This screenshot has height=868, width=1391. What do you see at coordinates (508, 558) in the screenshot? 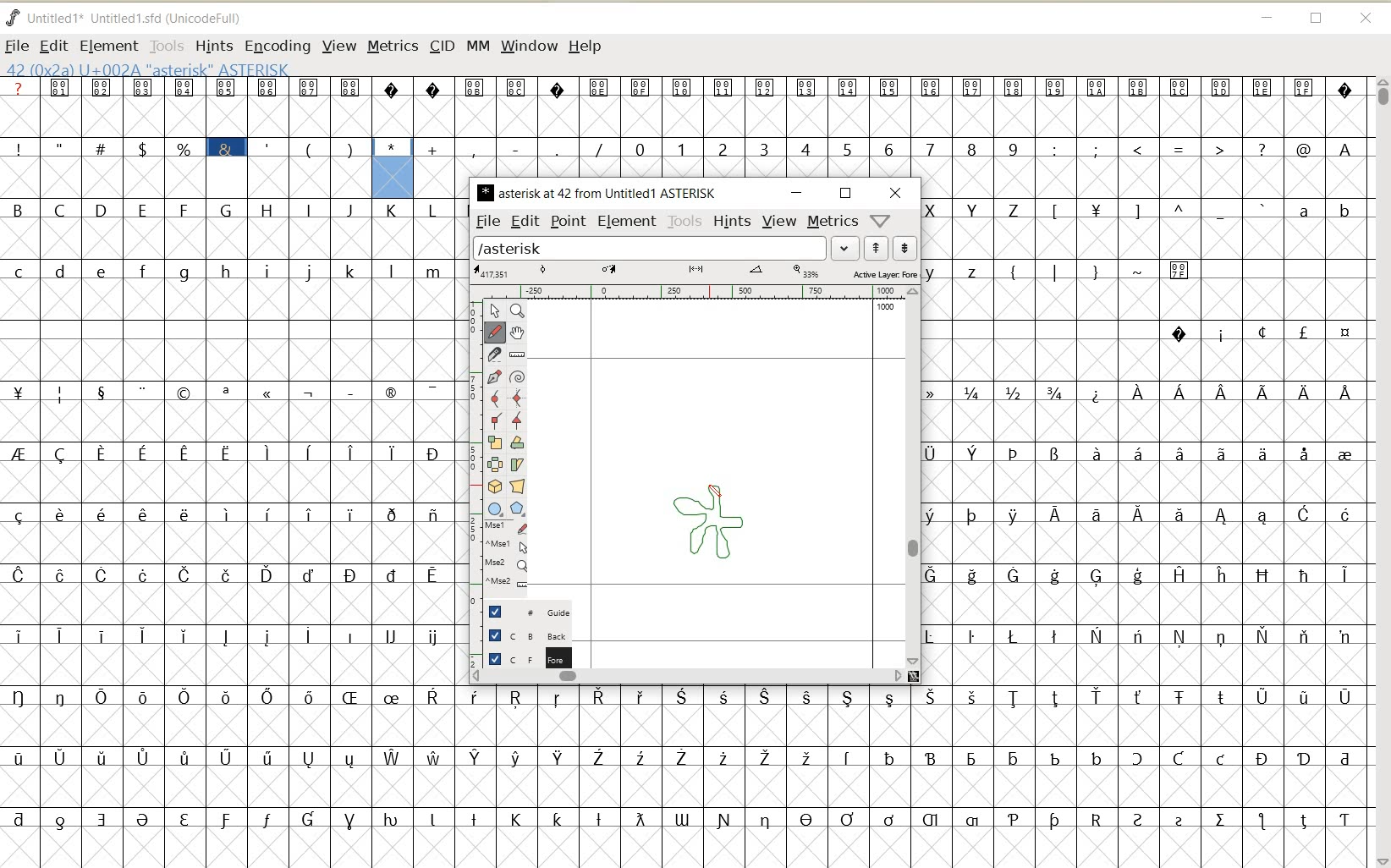
I see `cursor events on the open new outline window` at bounding box center [508, 558].